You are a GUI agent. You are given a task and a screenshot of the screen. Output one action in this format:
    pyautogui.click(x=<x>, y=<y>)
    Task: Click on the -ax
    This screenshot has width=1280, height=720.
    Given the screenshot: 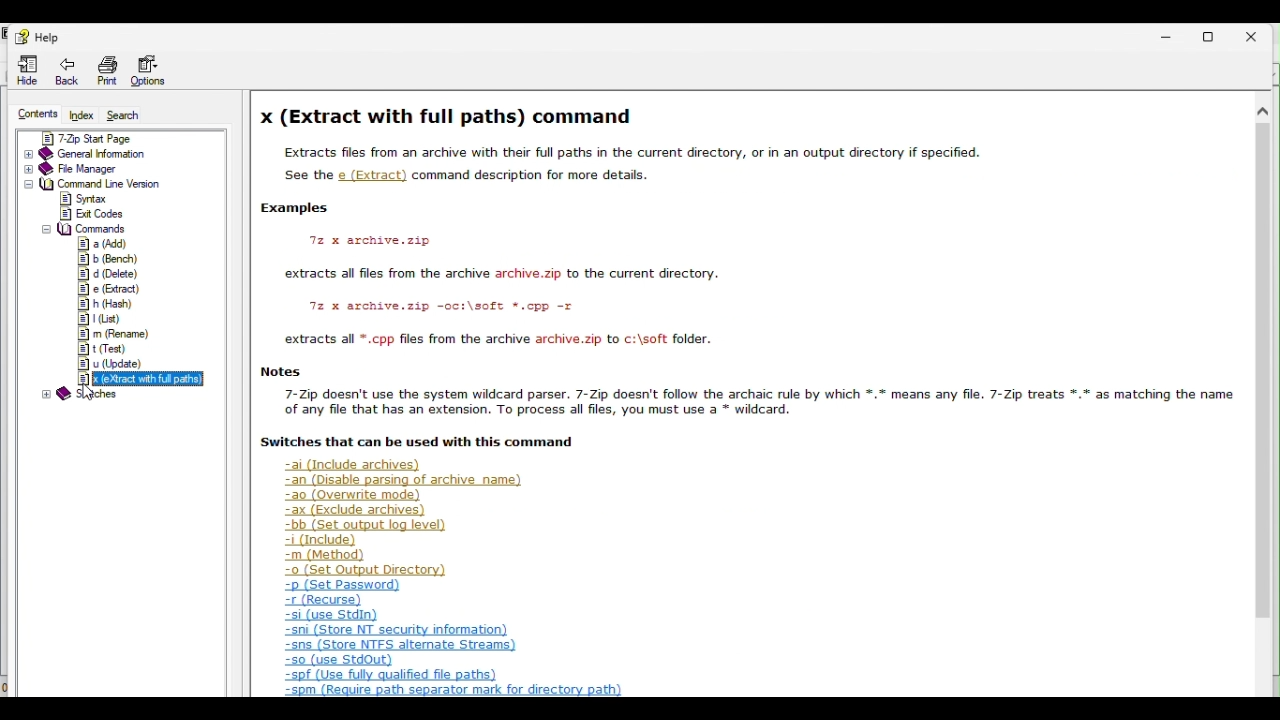 What is the action you would take?
    pyautogui.click(x=357, y=510)
    